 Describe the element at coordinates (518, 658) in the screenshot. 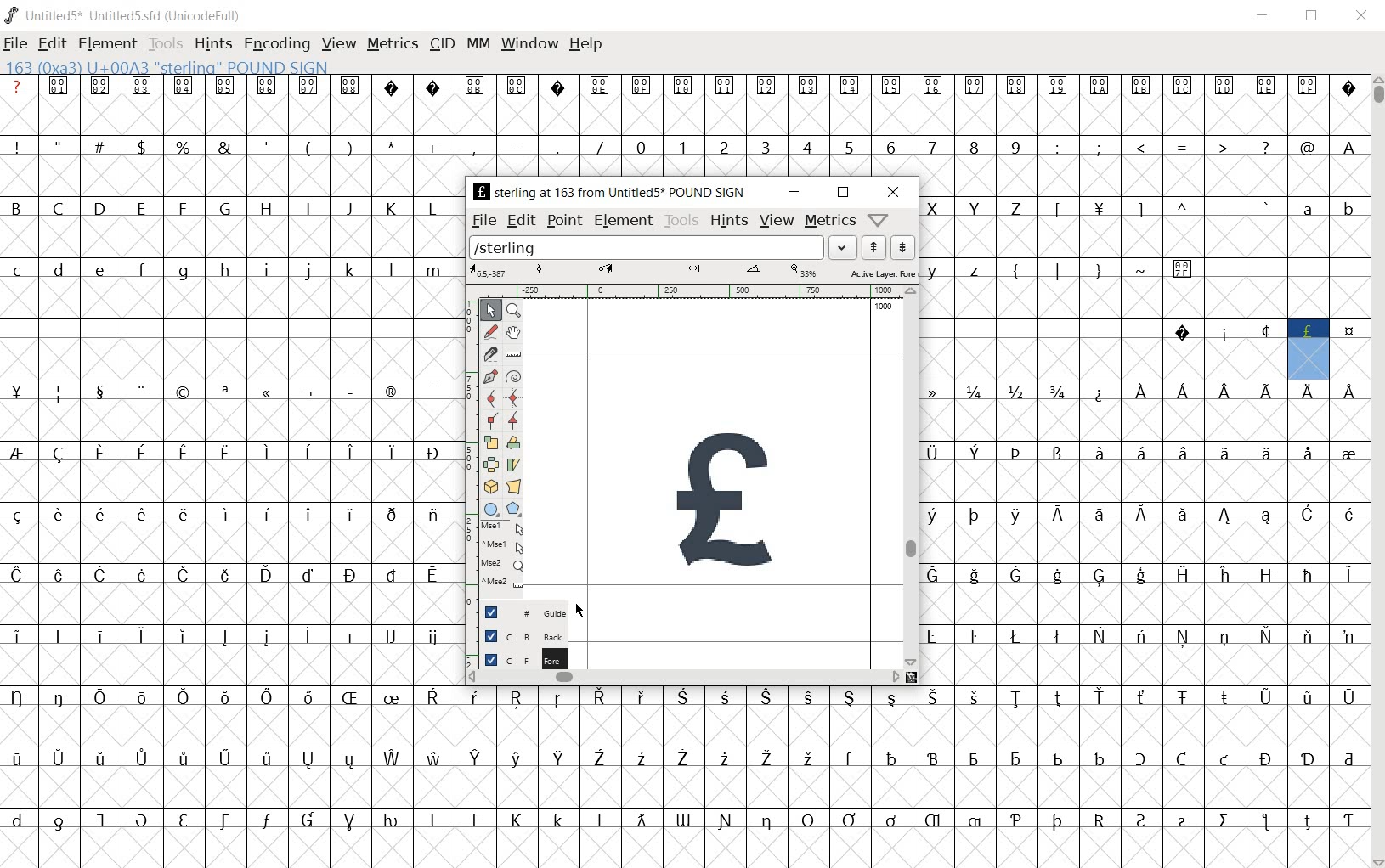

I see `foreground layer` at that location.